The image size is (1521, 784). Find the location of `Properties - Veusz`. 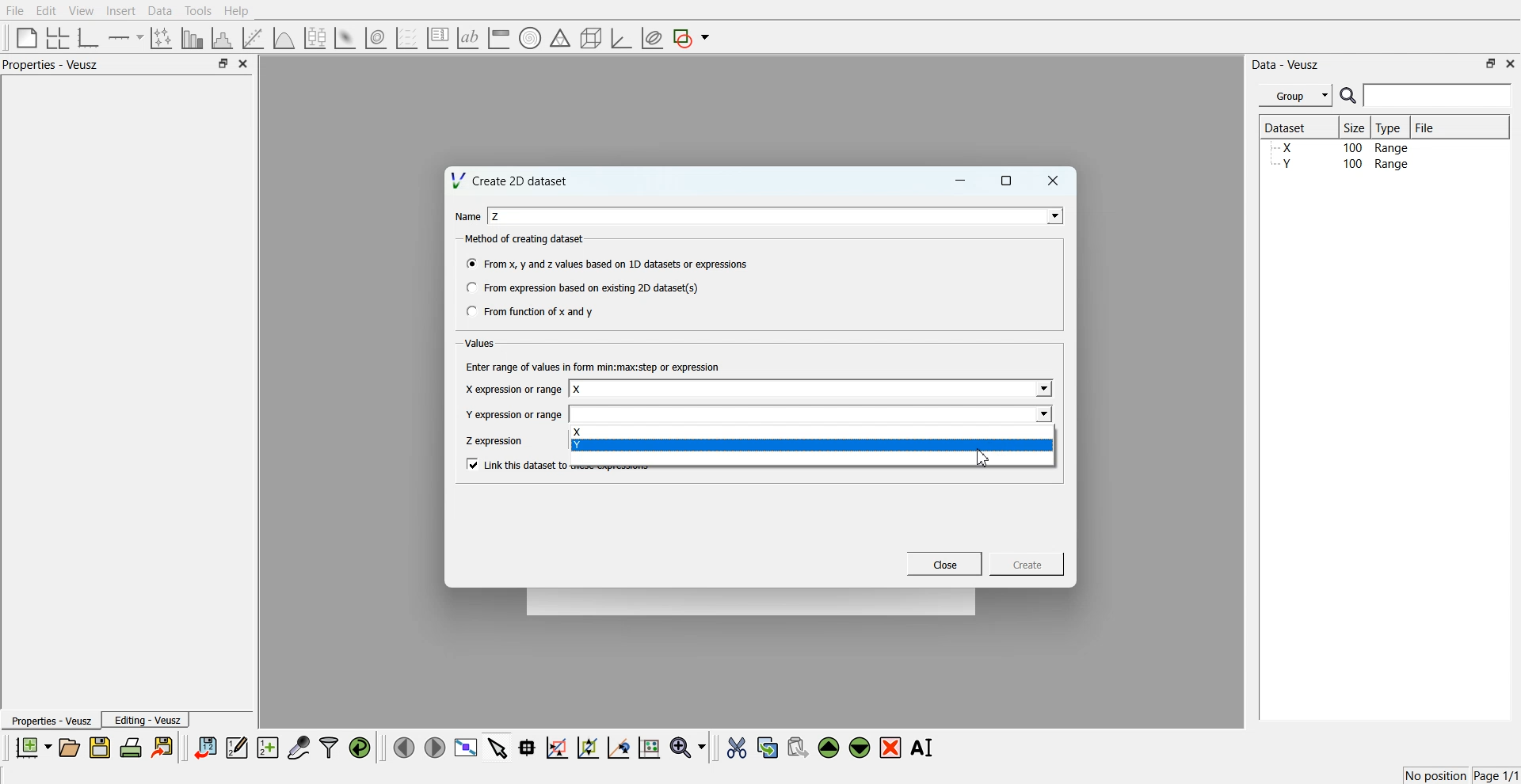

Properties - Veusz is located at coordinates (51, 64).